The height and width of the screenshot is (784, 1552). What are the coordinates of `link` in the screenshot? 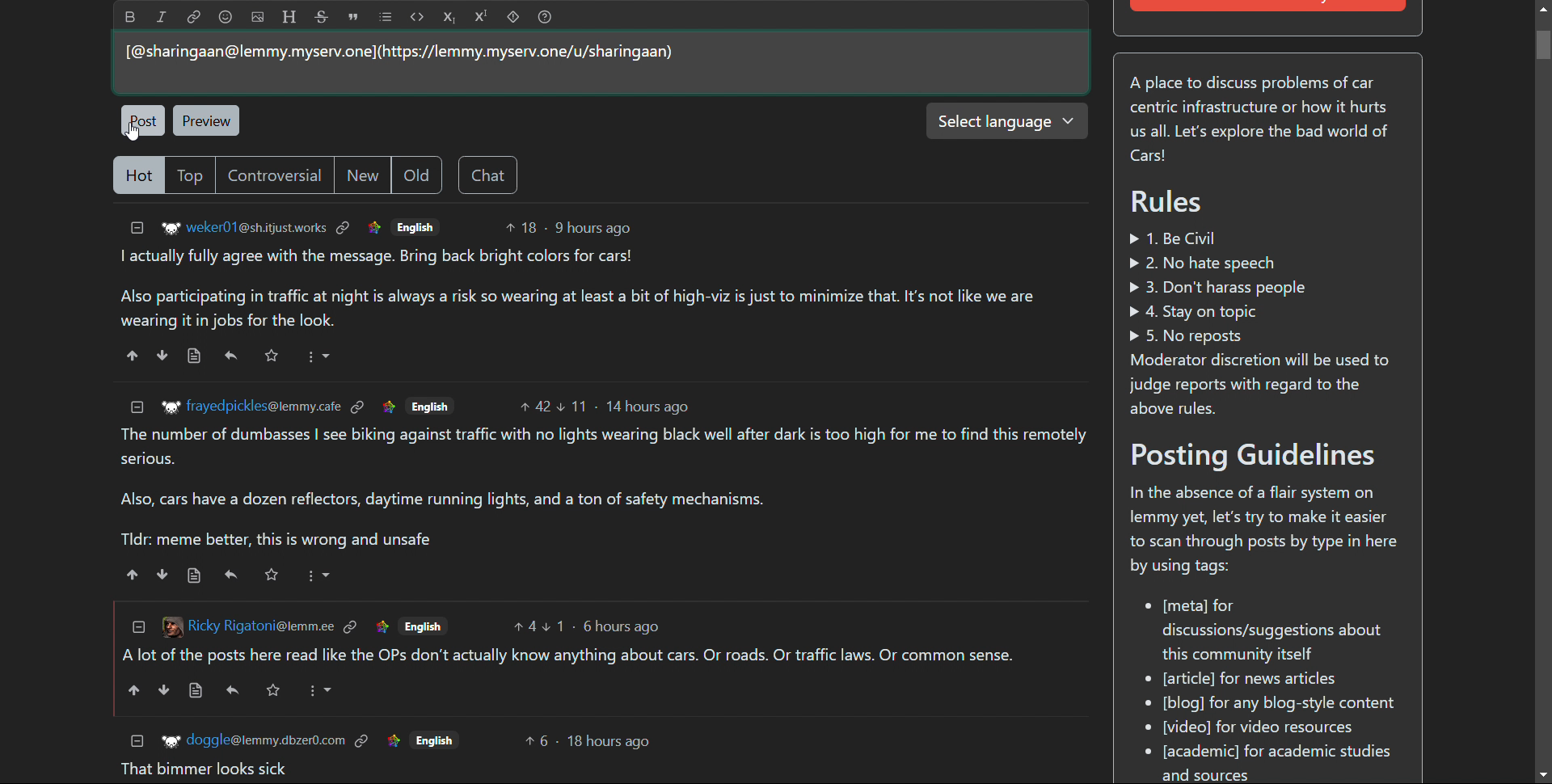 It's located at (344, 228).